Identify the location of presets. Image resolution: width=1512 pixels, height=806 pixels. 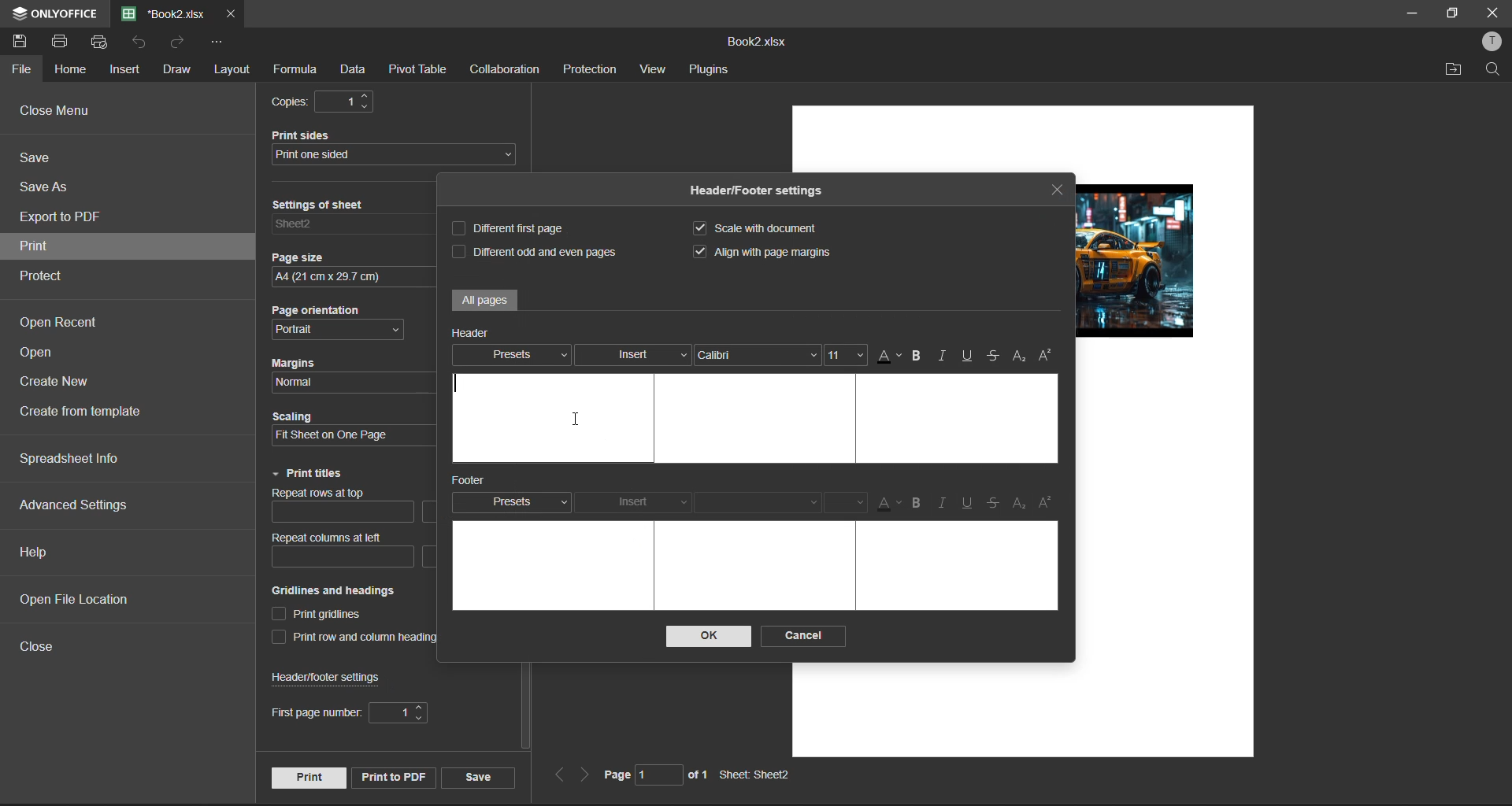
(511, 501).